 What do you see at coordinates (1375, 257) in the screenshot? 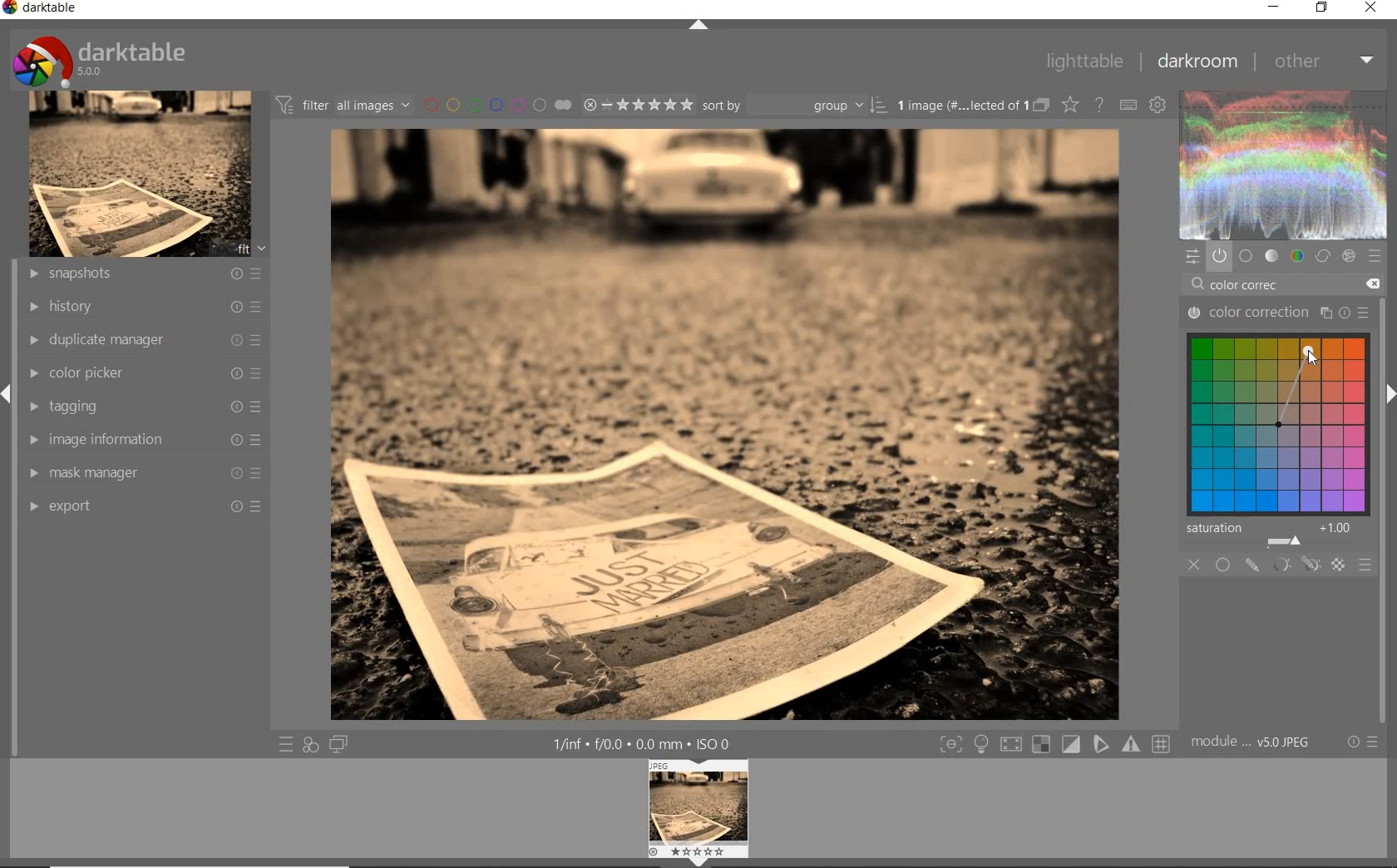
I see `preset ` at bounding box center [1375, 257].